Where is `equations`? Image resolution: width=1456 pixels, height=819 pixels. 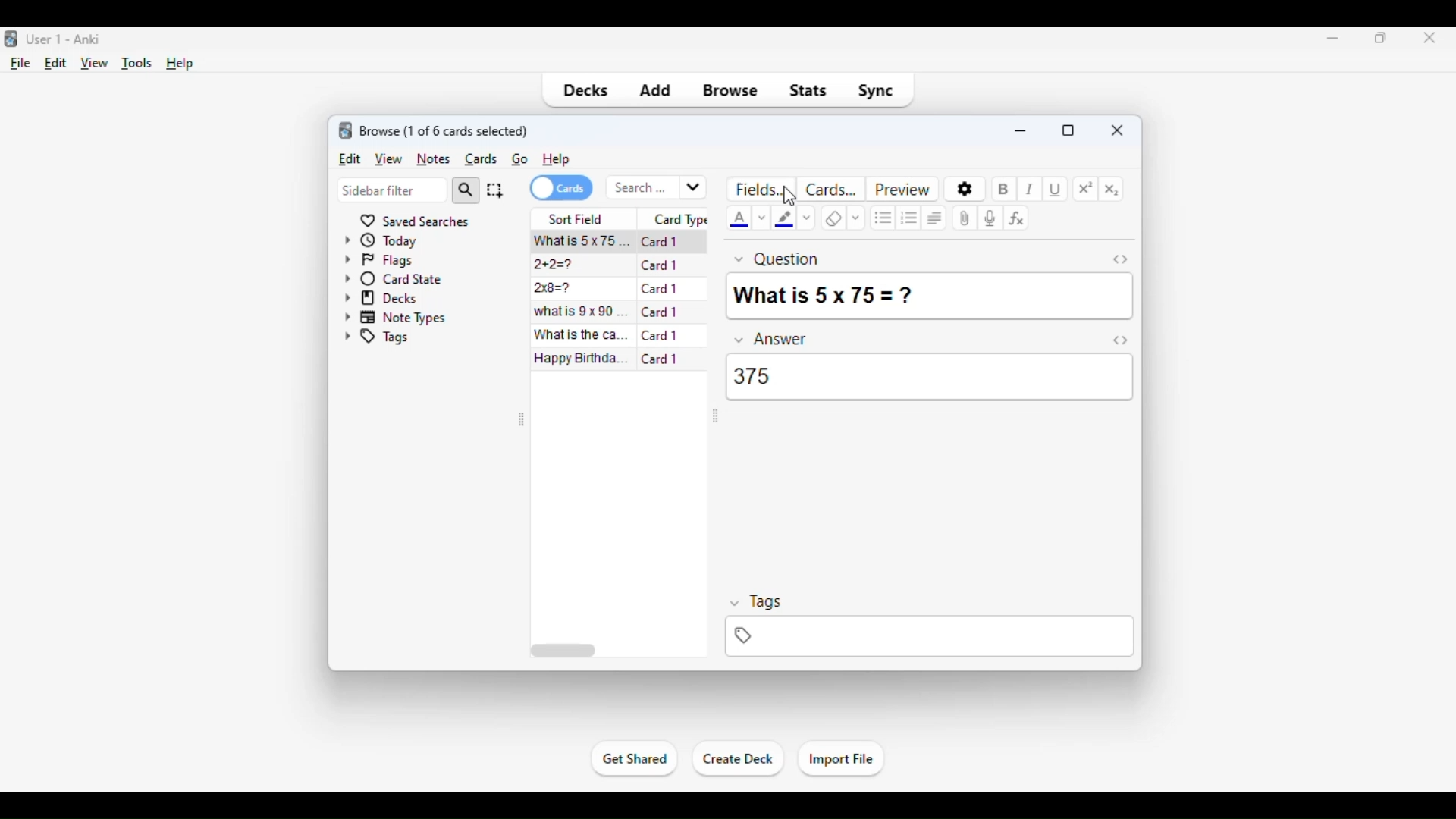 equations is located at coordinates (1016, 218).